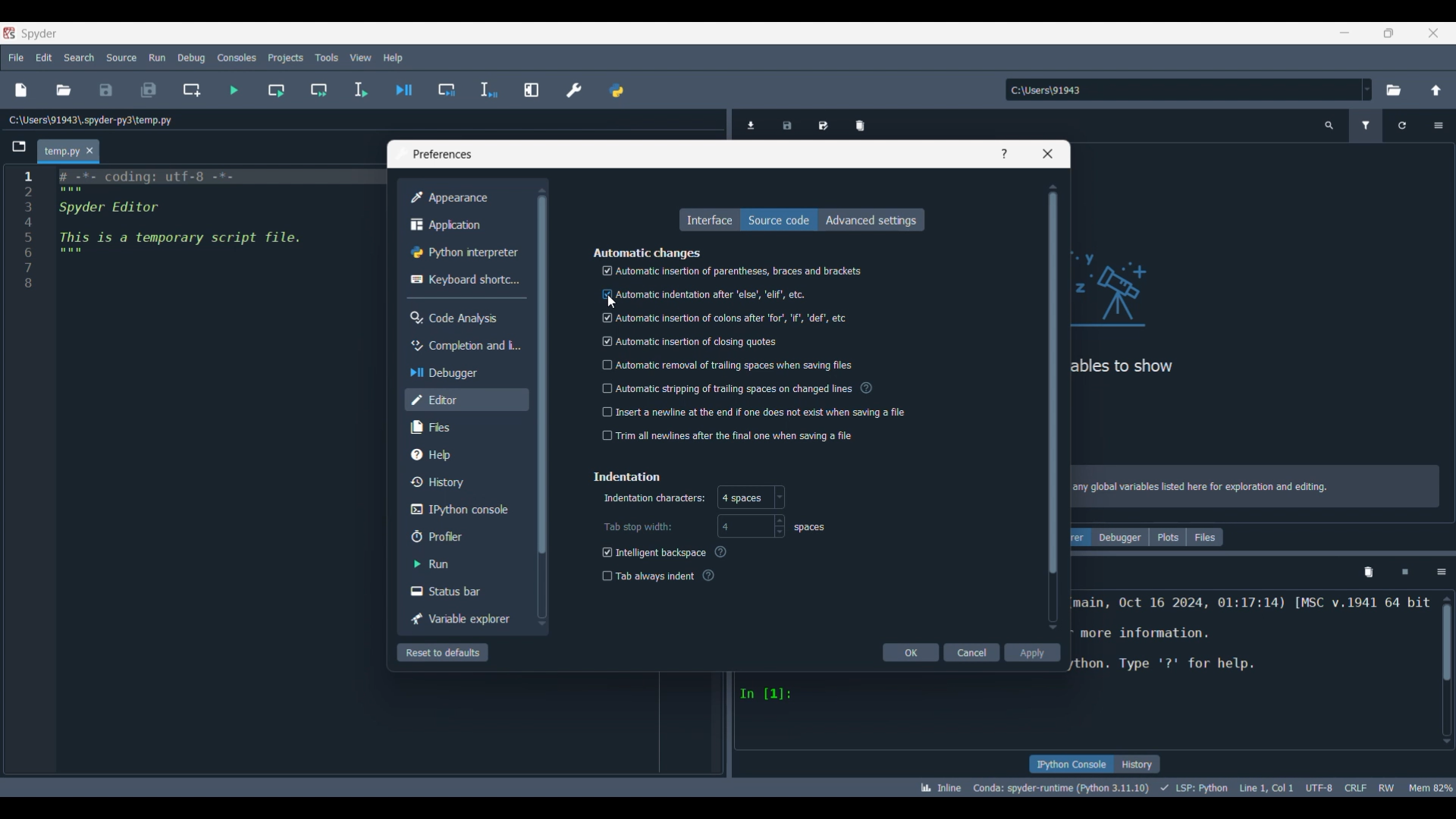 The image size is (1456, 819). Describe the element at coordinates (708, 295) in the screenshot. I see `Automatic indentation after ‘else’, 'elif', etc.` at that location.